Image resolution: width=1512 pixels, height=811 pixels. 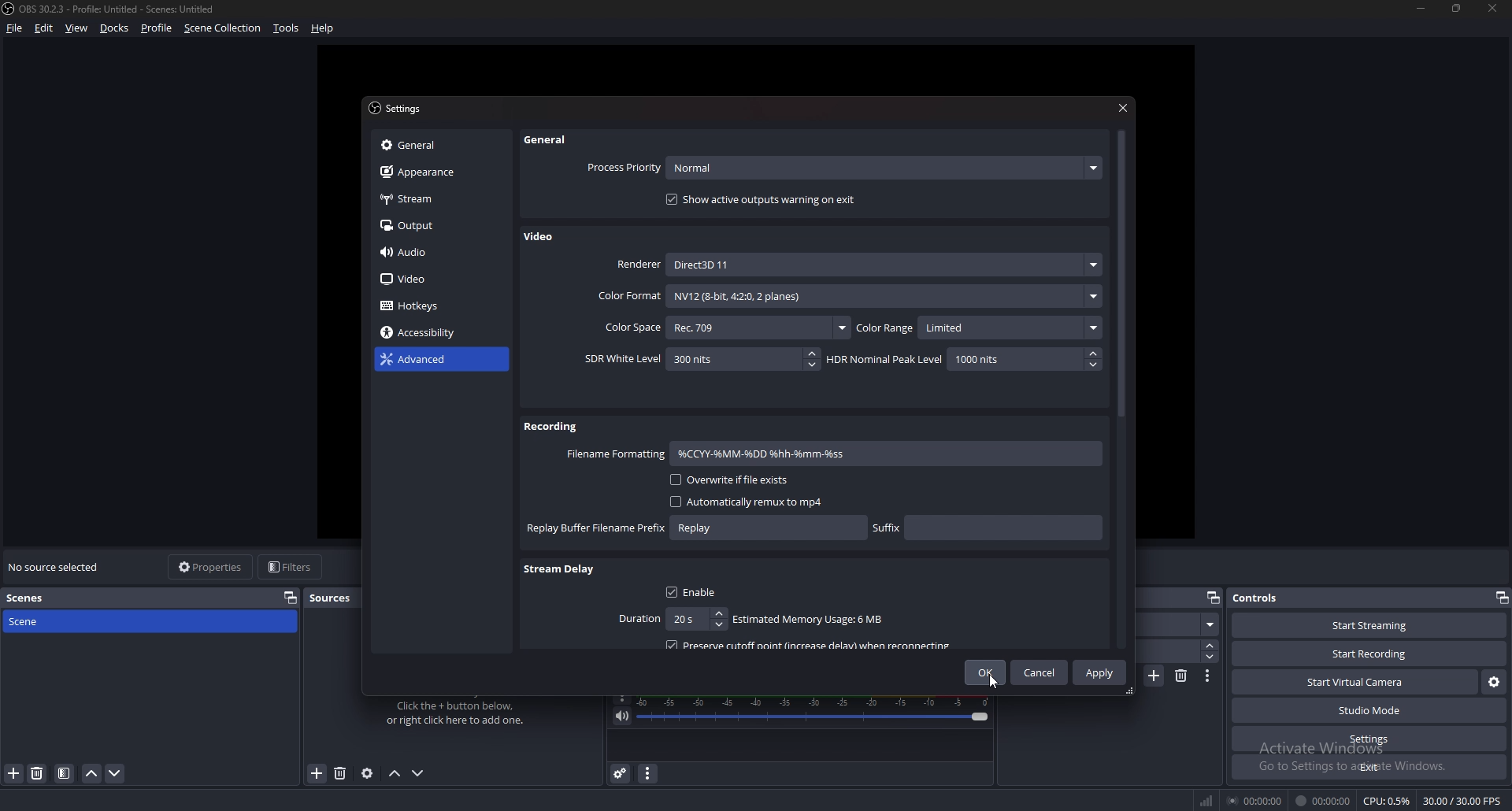 What do you see at coordinates (430, 280) in the screenshot?
I see `video` at bounding box center [430, 280].